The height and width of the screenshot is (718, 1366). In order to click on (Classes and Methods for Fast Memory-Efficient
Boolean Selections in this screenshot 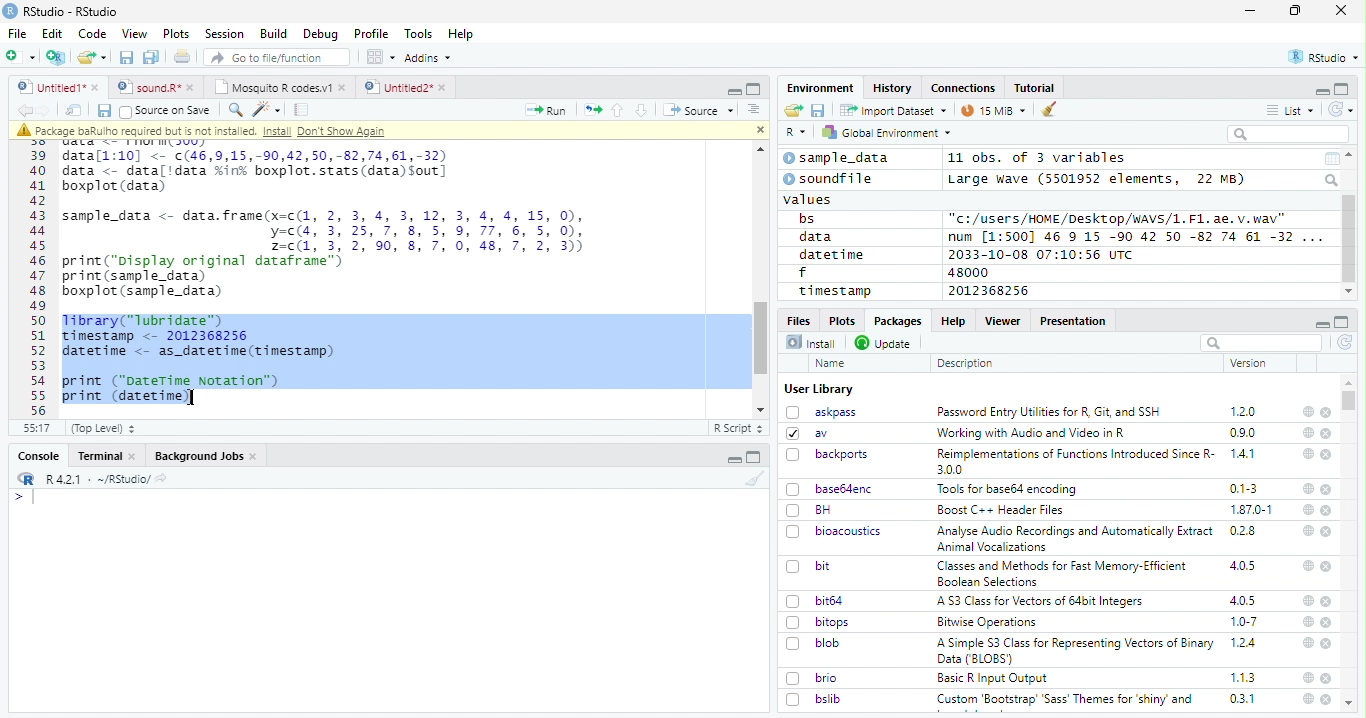, I will do `click(1064, 573)`.